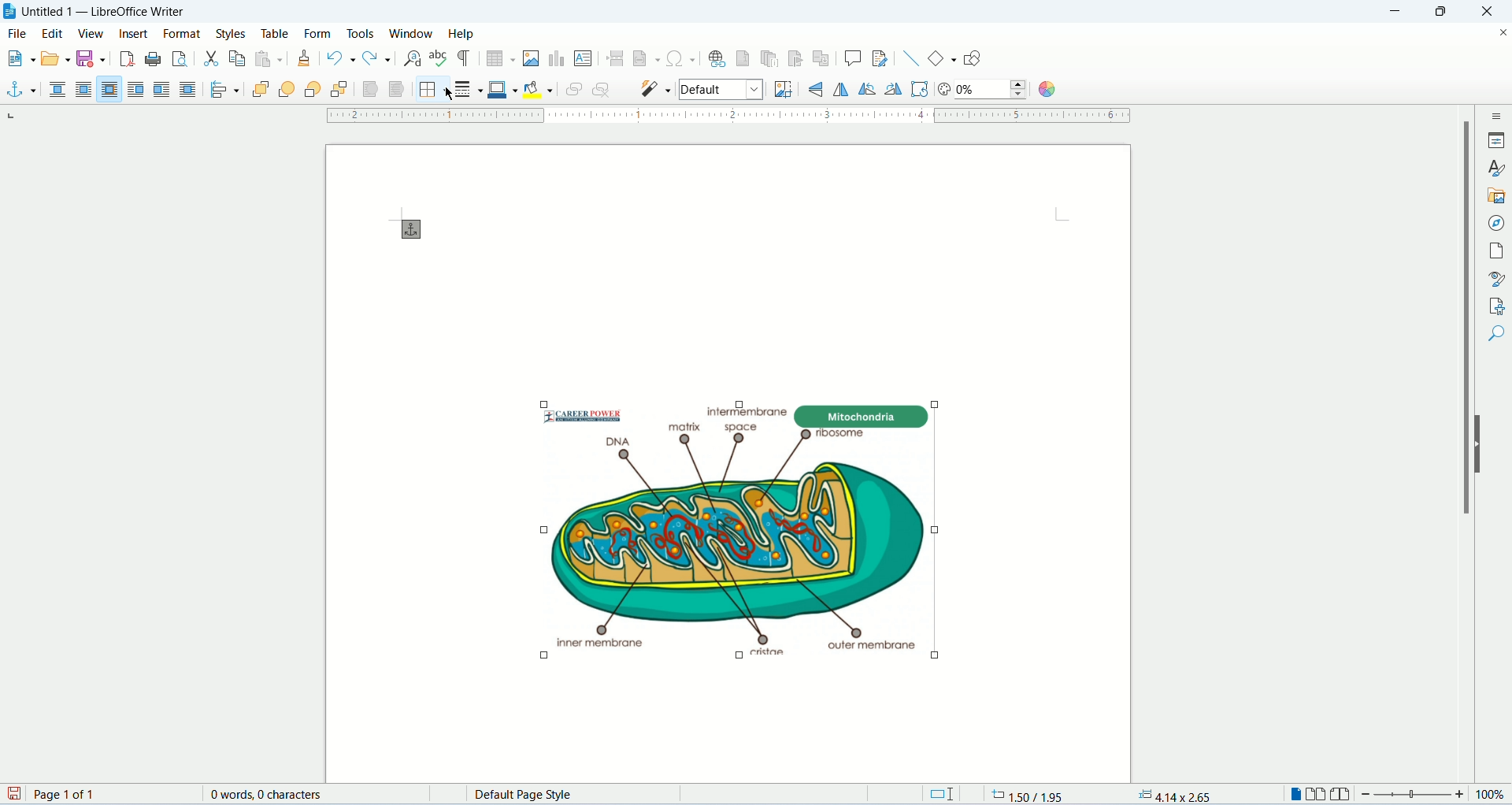  I want to click on zoom bar, so click(1414, 795).